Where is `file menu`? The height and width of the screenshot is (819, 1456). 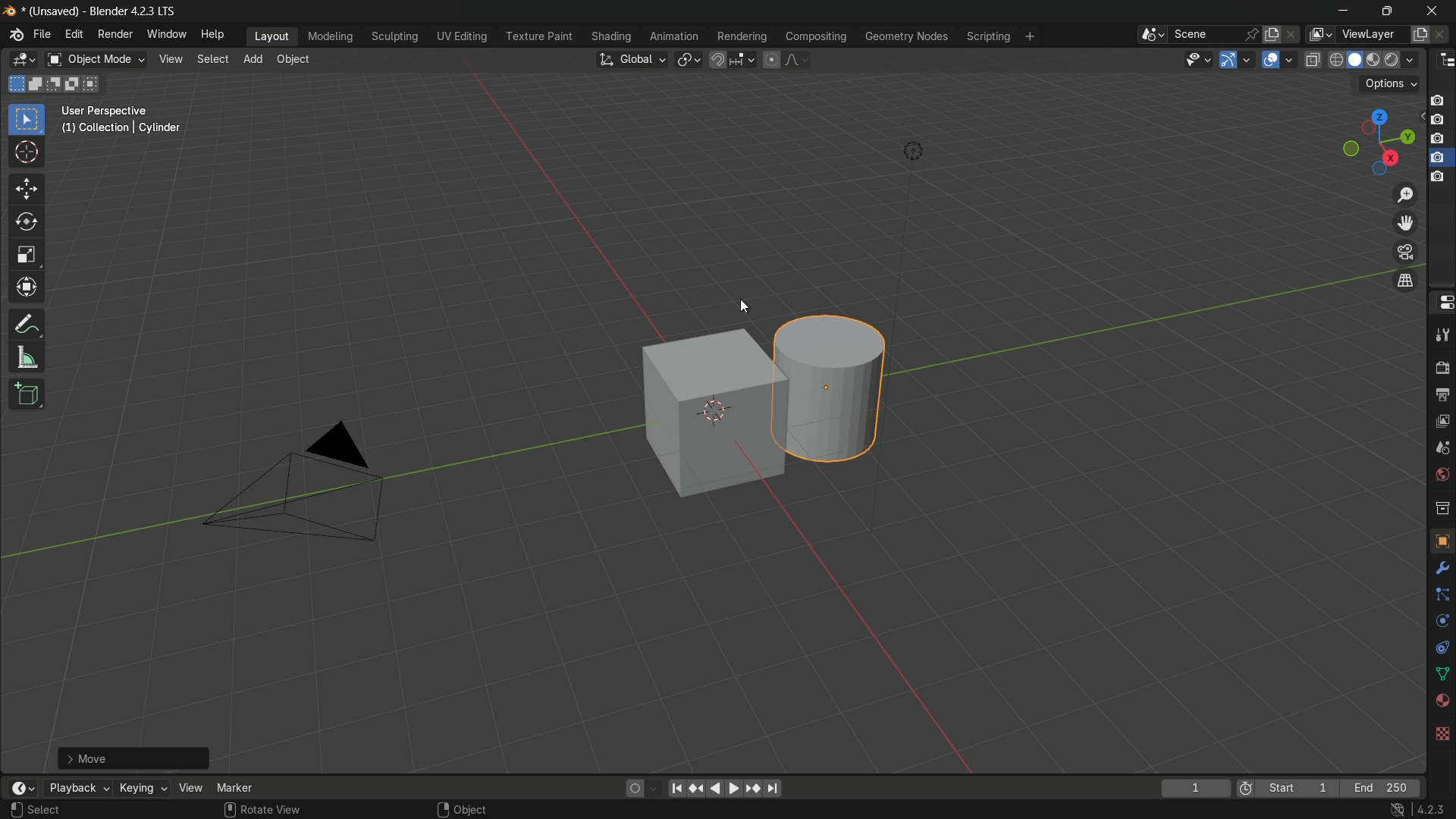
file menu is located at coordinates (42, 35).